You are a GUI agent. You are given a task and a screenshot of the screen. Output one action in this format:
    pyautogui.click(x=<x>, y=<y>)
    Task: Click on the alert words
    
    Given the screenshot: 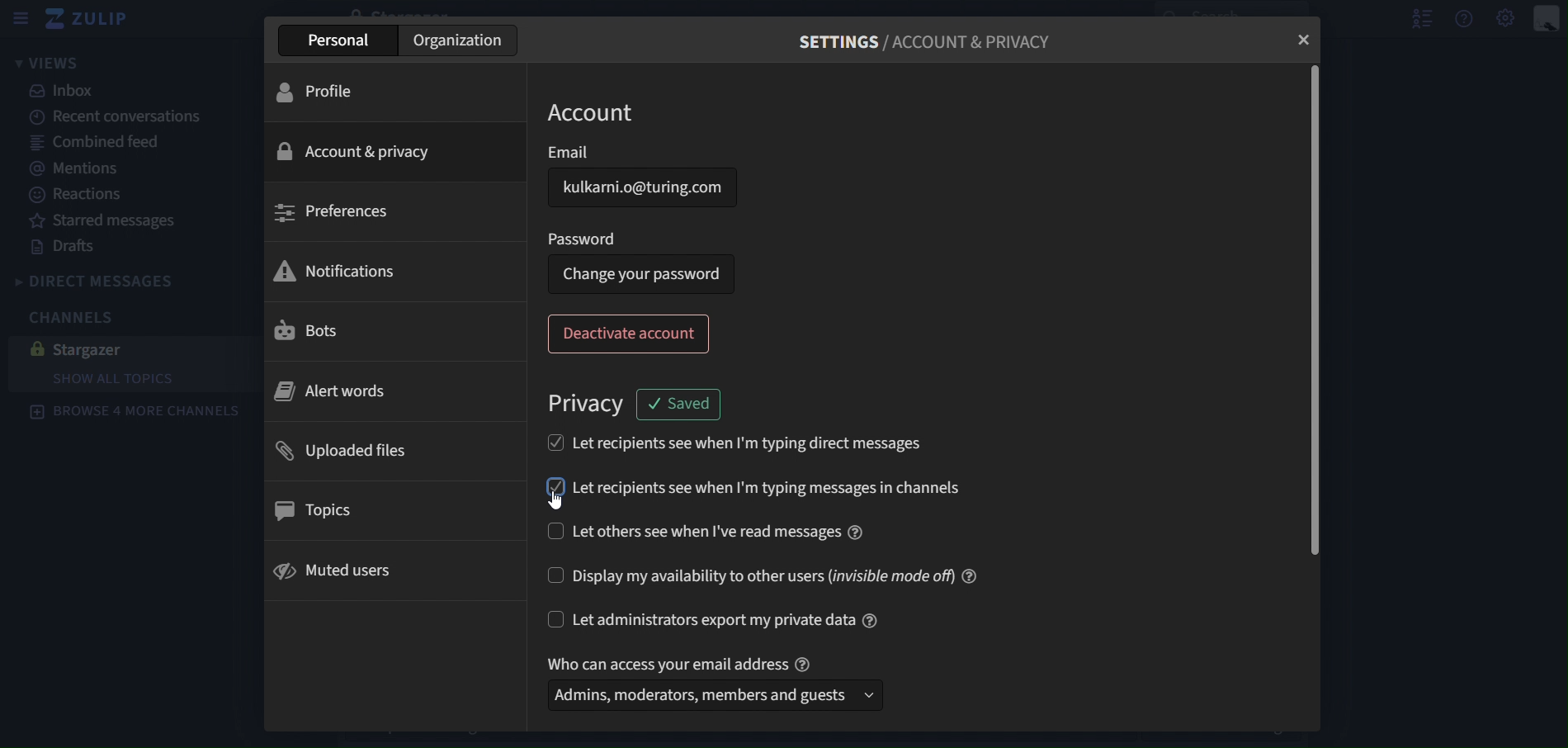 What is the action you would take?
    pyautogui.click(x=333, y=393)
    